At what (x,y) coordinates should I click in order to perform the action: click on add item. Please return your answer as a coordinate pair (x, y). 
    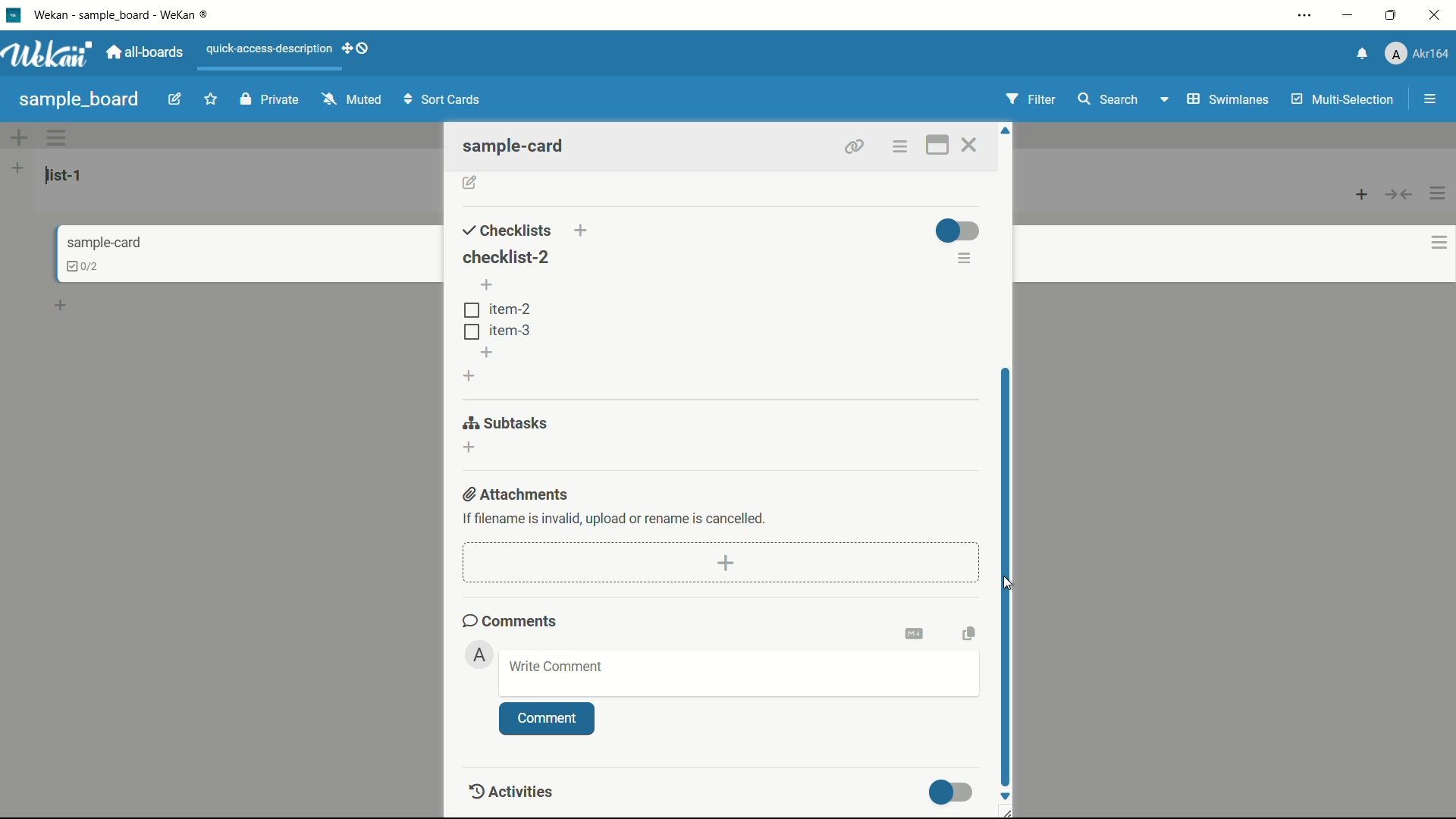
    Looking at the image, I should click on (488, 353).